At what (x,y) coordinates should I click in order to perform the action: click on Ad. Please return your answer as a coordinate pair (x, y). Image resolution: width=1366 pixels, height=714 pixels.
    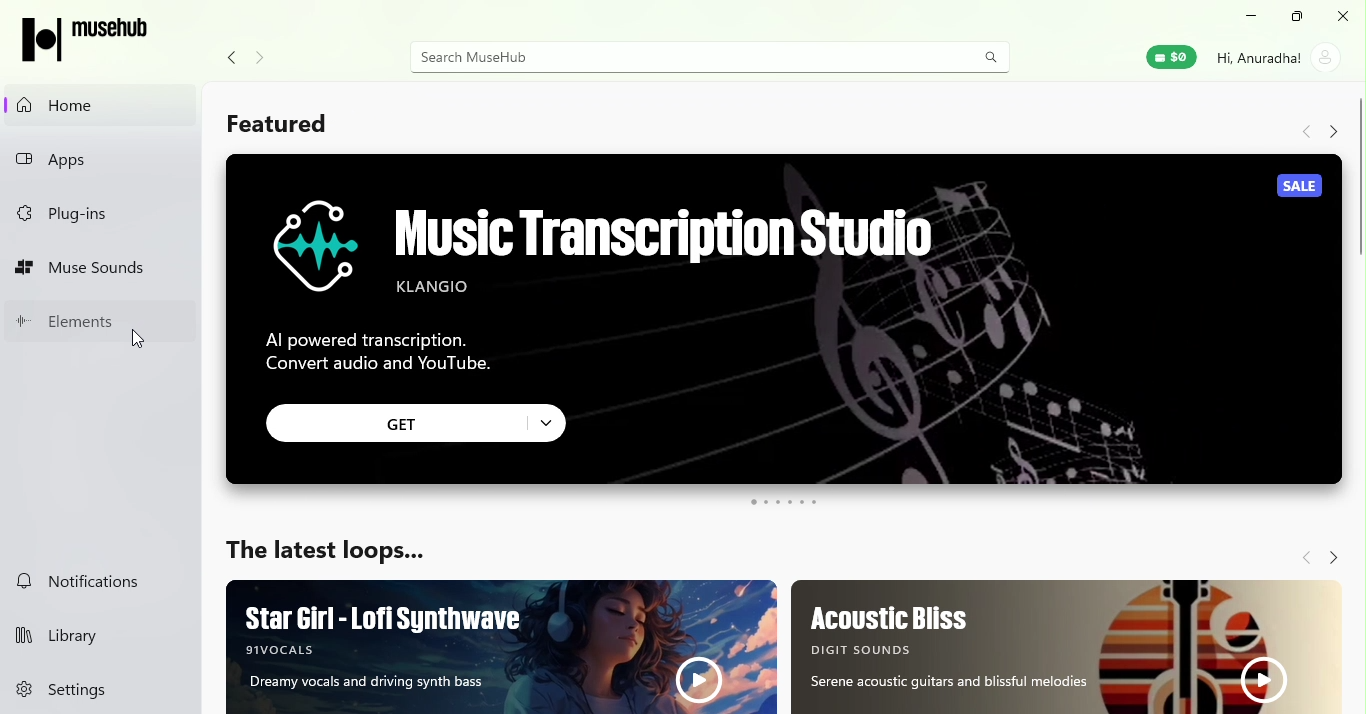
    Looking at the image, I should click on (1073, 647).